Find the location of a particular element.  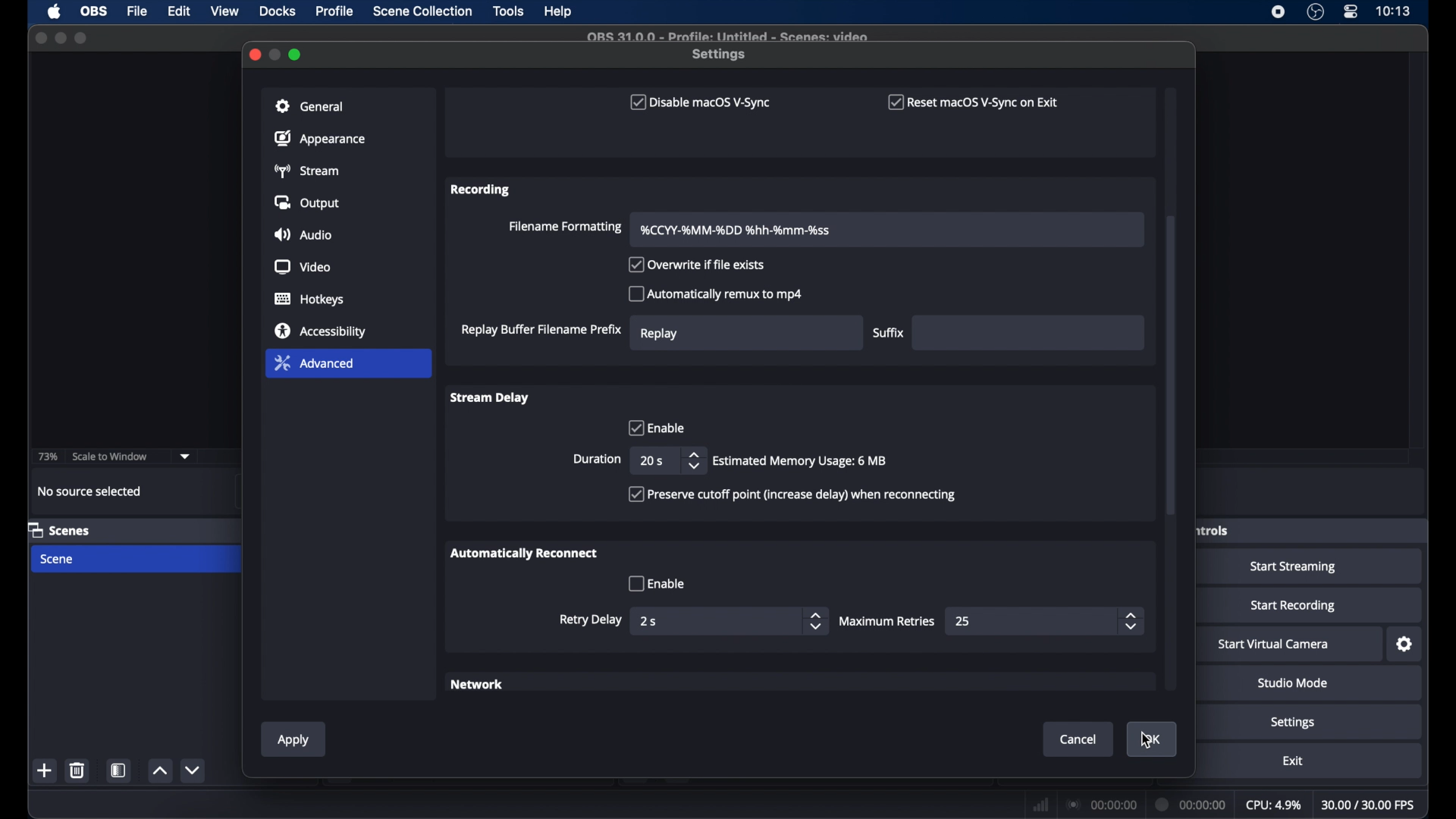

apple icon is located at coordinates (55, 12).